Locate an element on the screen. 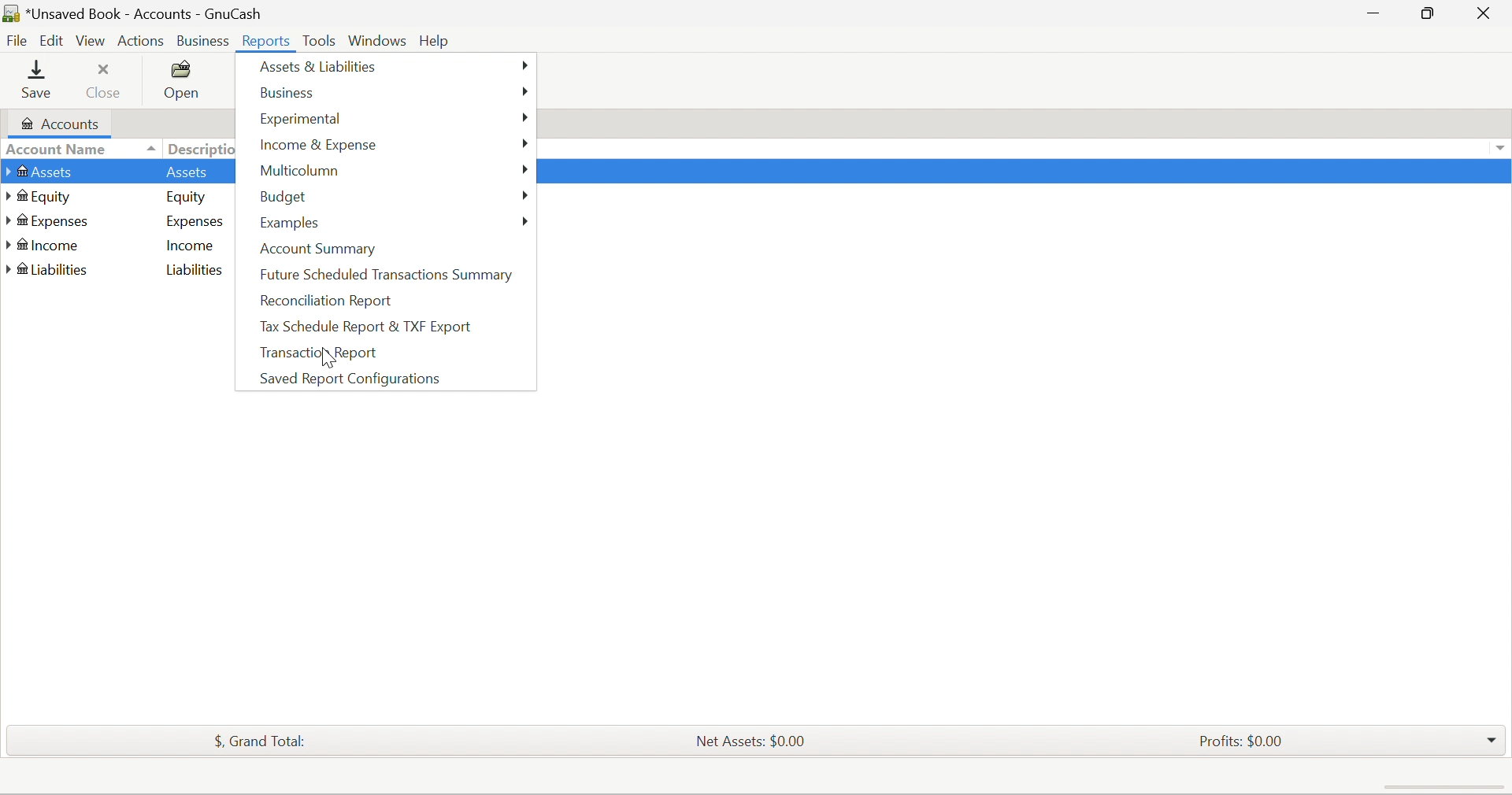 This screenshot has width=1512, height=795. Liabilities is located at coordinates (195, 270).